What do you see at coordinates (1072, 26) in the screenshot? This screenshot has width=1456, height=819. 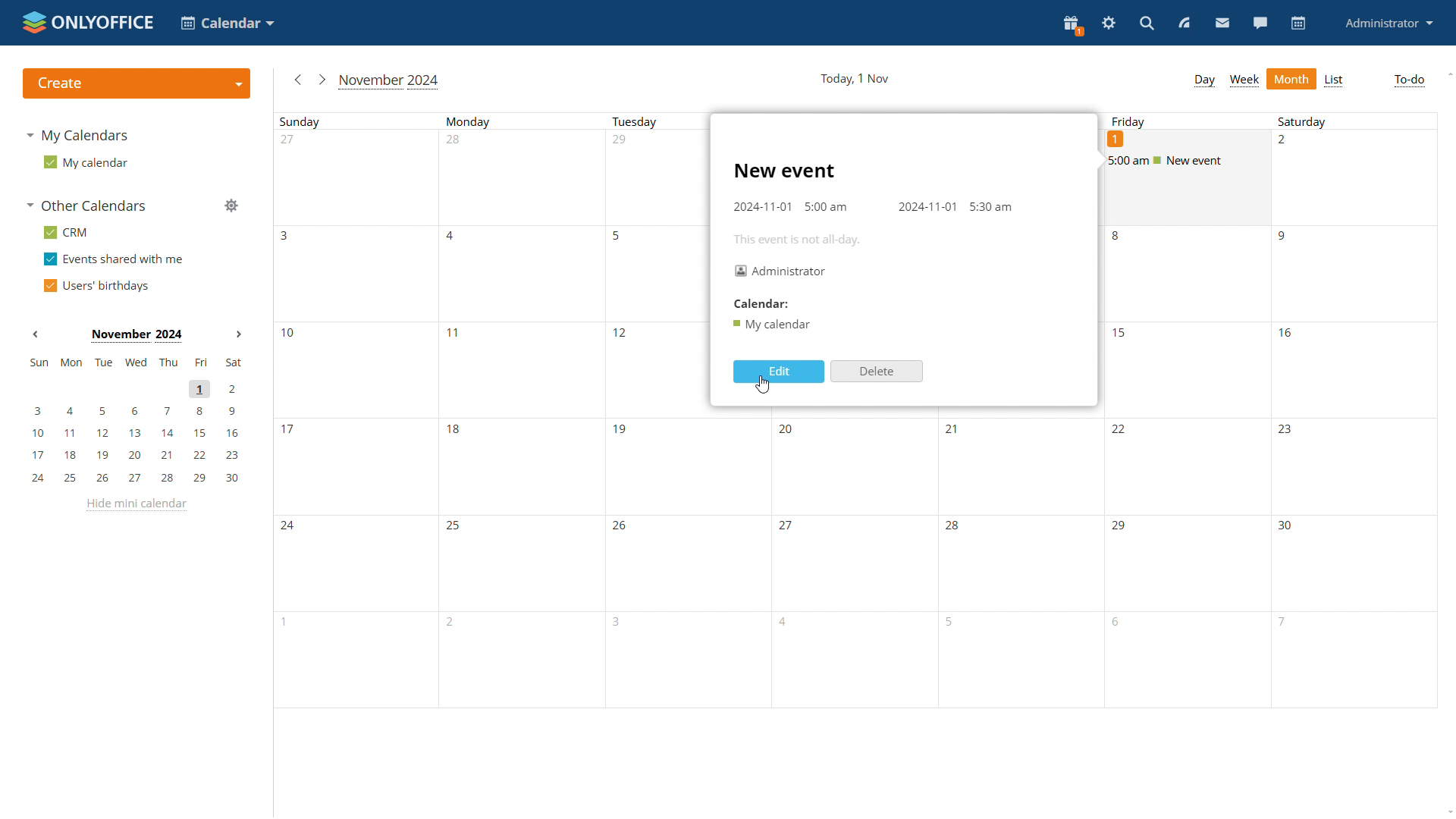 I see `present` at bounding box center [1072, 26].